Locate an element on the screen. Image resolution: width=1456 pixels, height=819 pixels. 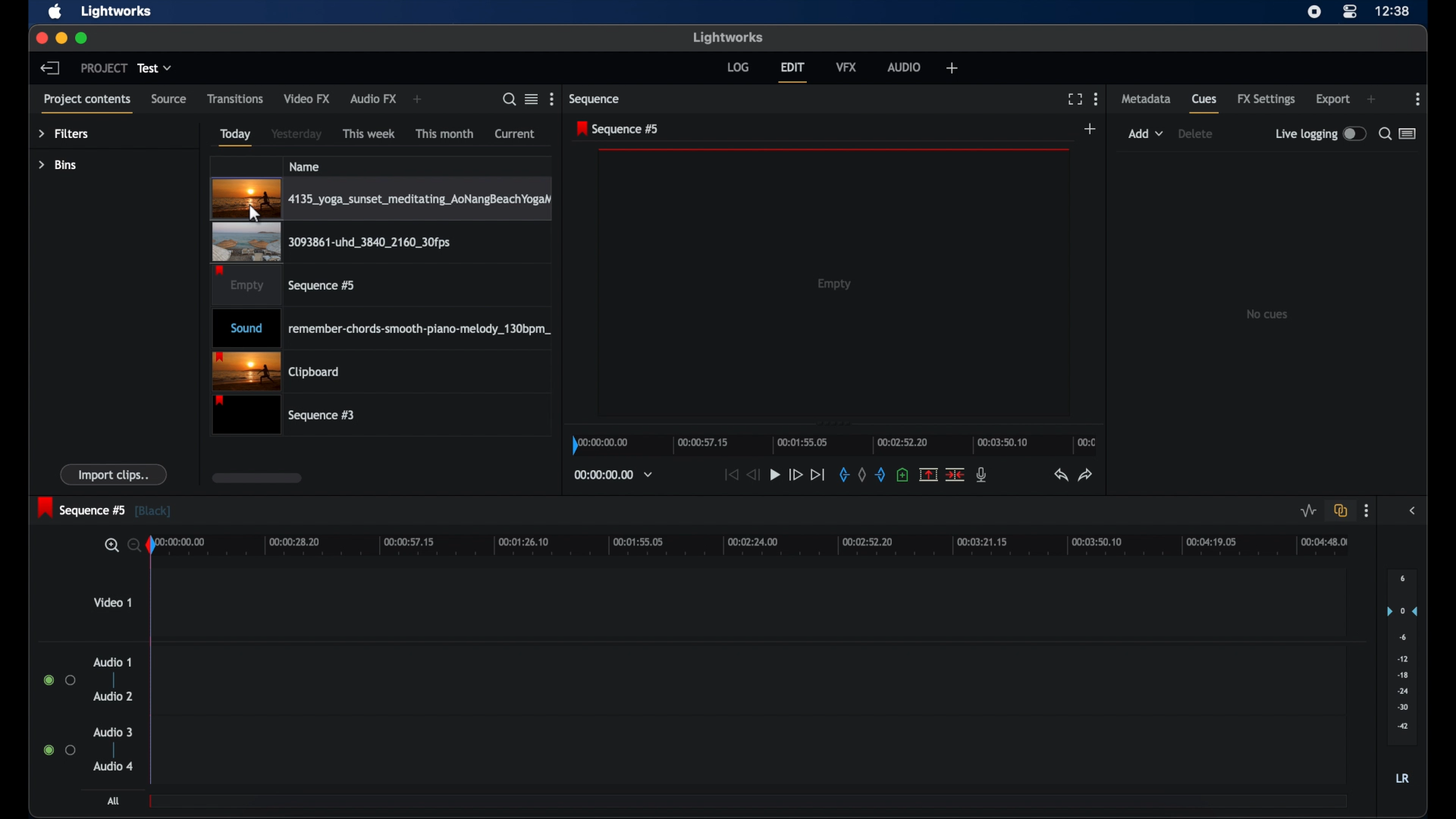
live logging is located at coordinates (1319, 133).